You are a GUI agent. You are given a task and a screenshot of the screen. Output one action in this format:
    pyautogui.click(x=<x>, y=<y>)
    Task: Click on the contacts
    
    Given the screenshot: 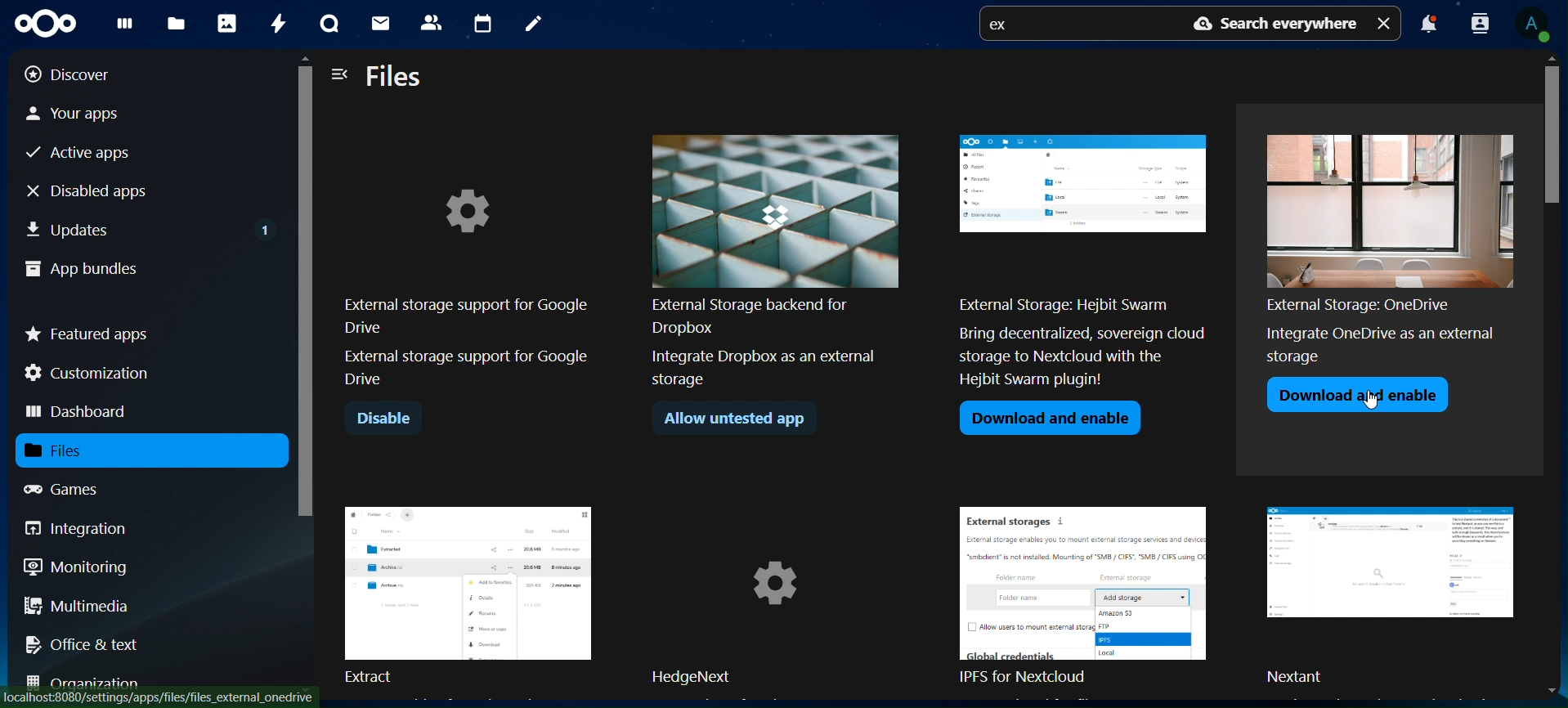 What is the action you would take?
    pyautogui.click(x=431, y=21)
    